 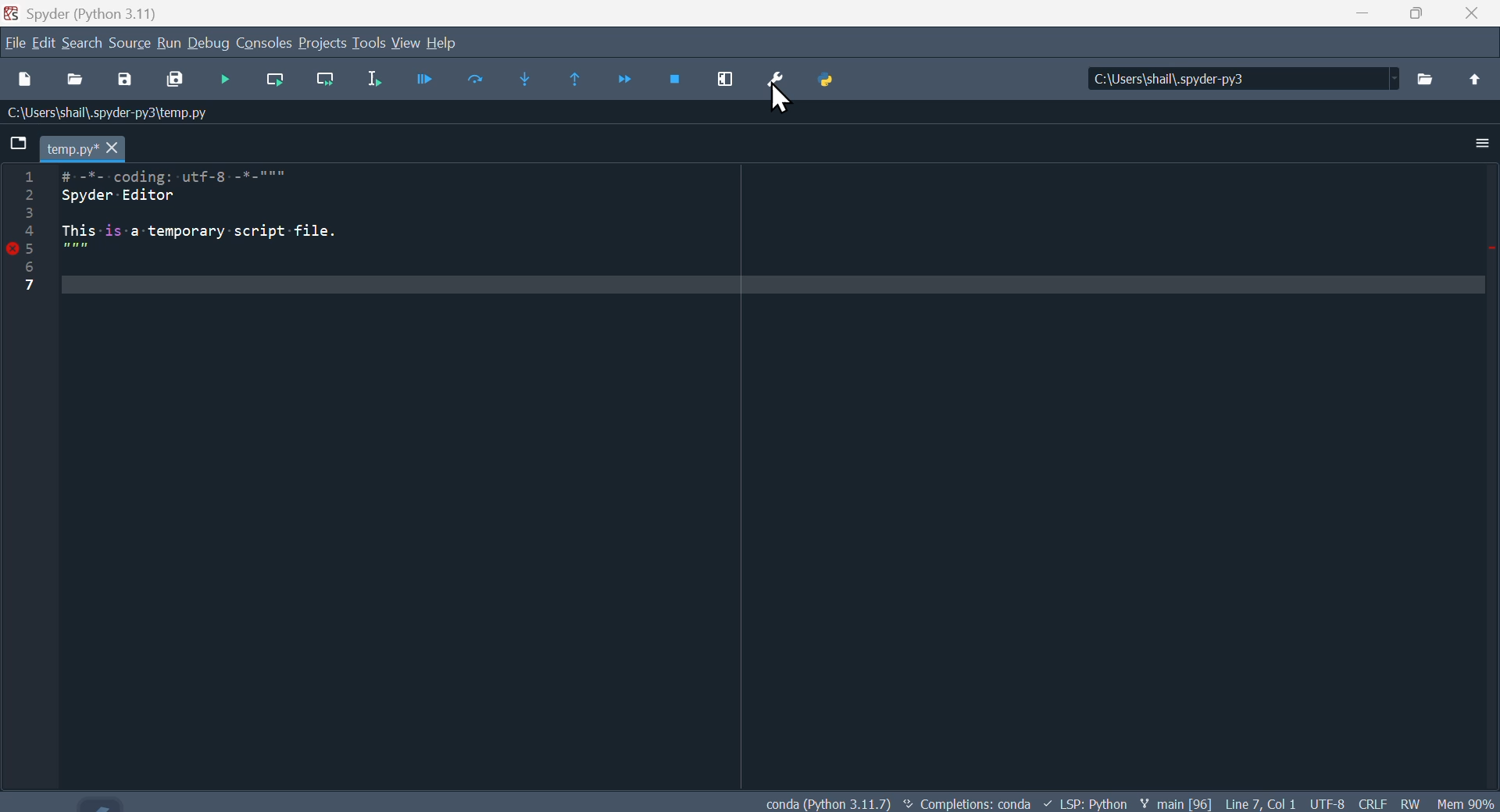 What do you see at coordinates (20, 238) in the screenshot?
I see `Line numbers` at bounding box center [20, 238].